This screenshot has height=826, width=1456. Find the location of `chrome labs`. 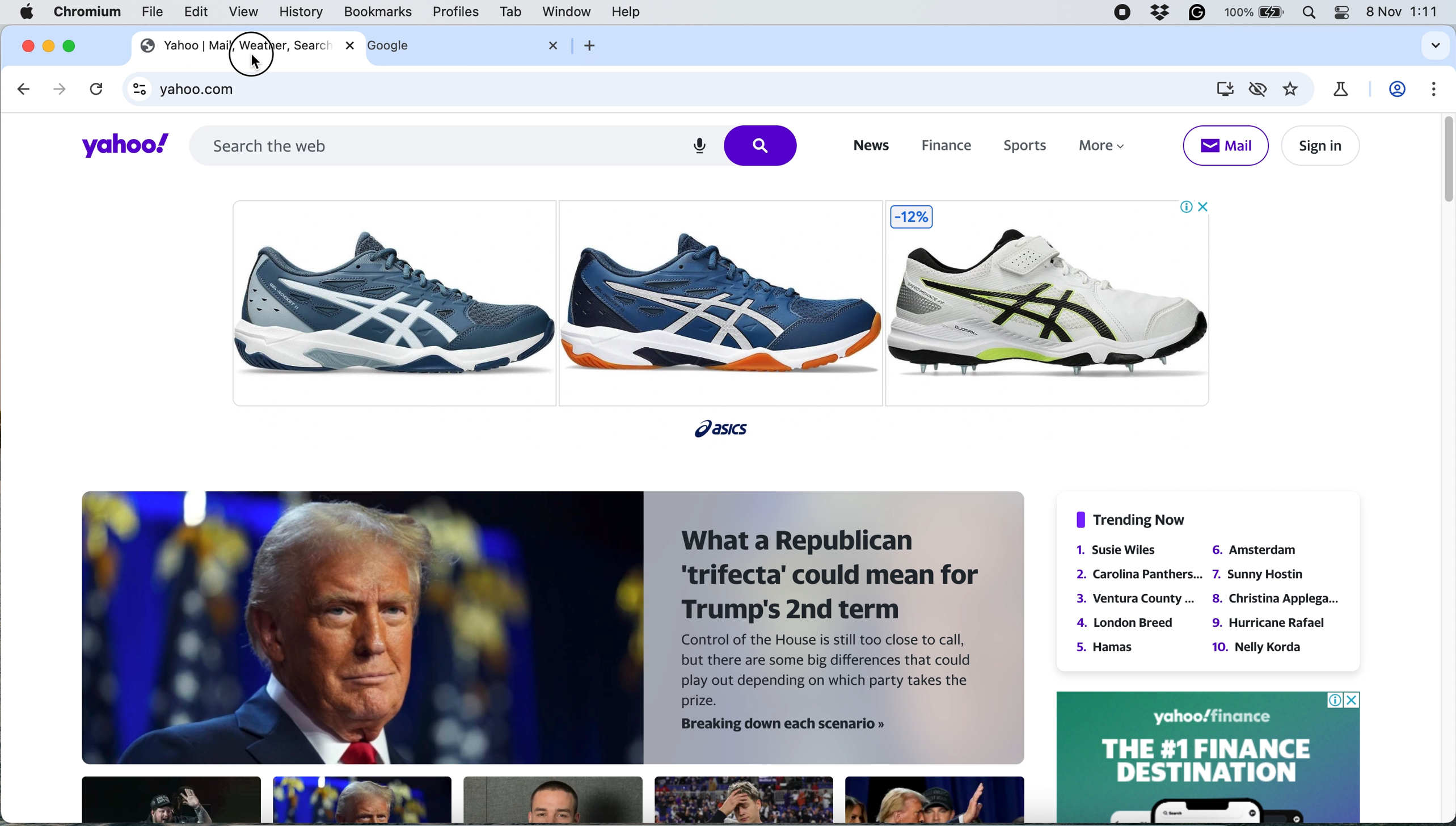

chrome labs is located at coordinates (1340, 89).